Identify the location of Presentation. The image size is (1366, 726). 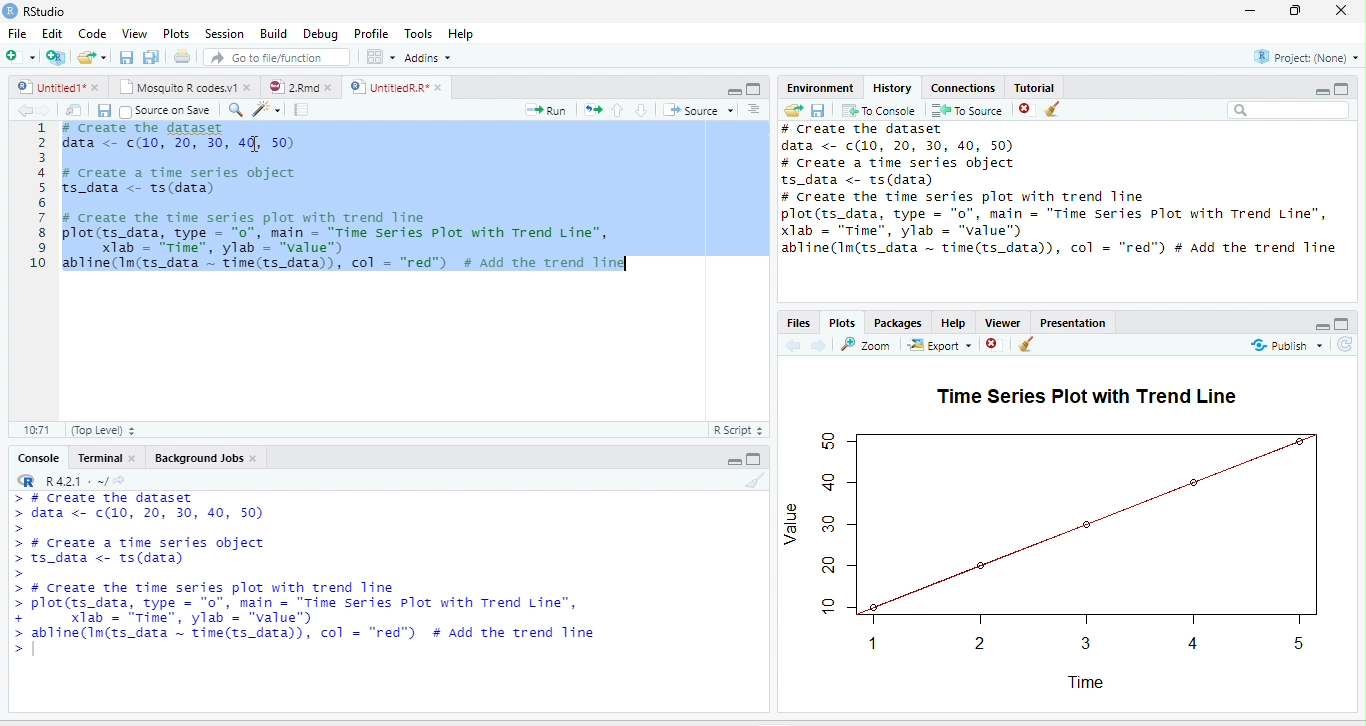
(1073, 321).